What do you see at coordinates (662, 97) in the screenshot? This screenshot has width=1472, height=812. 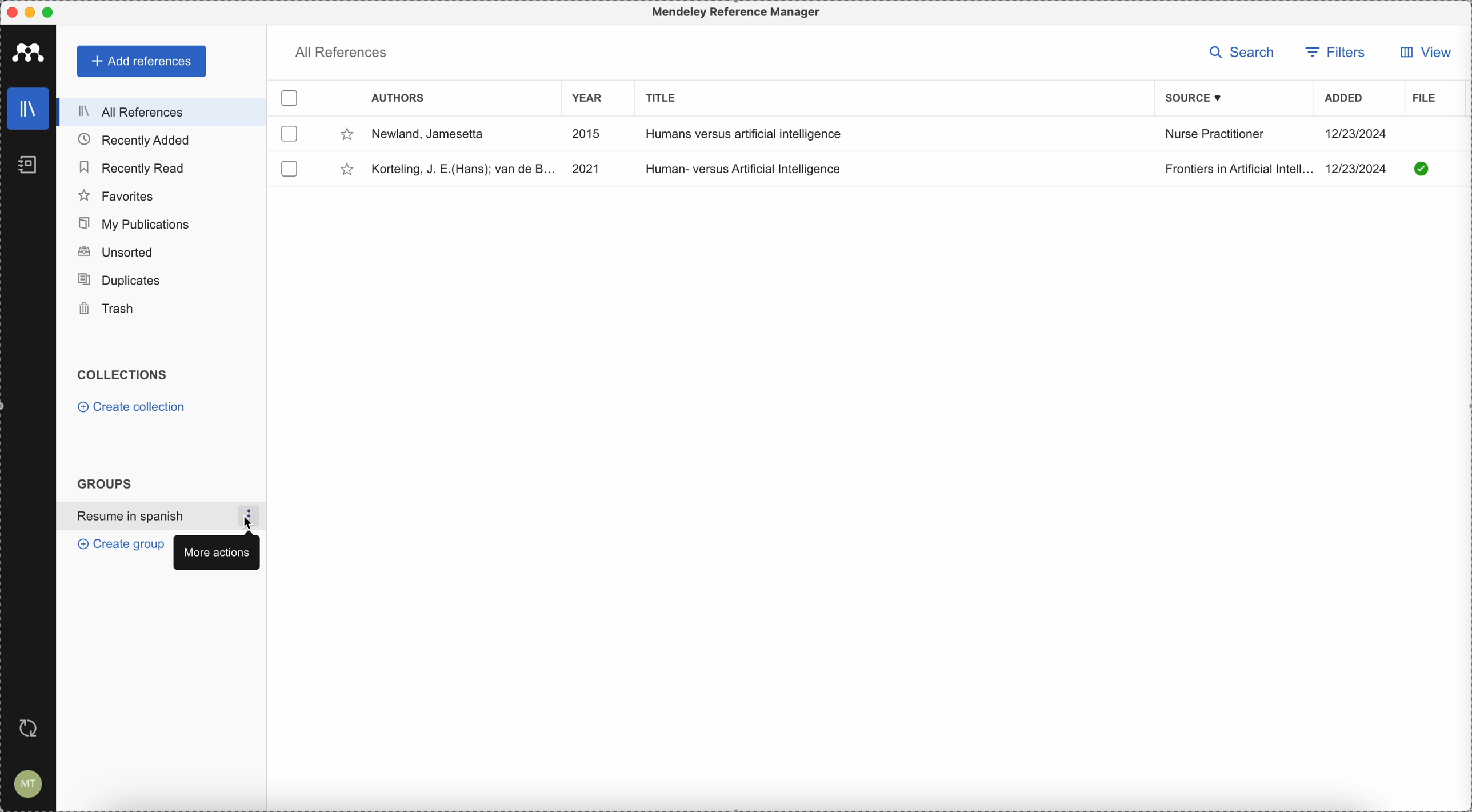 I see `title` at bounding box center [662, 97].